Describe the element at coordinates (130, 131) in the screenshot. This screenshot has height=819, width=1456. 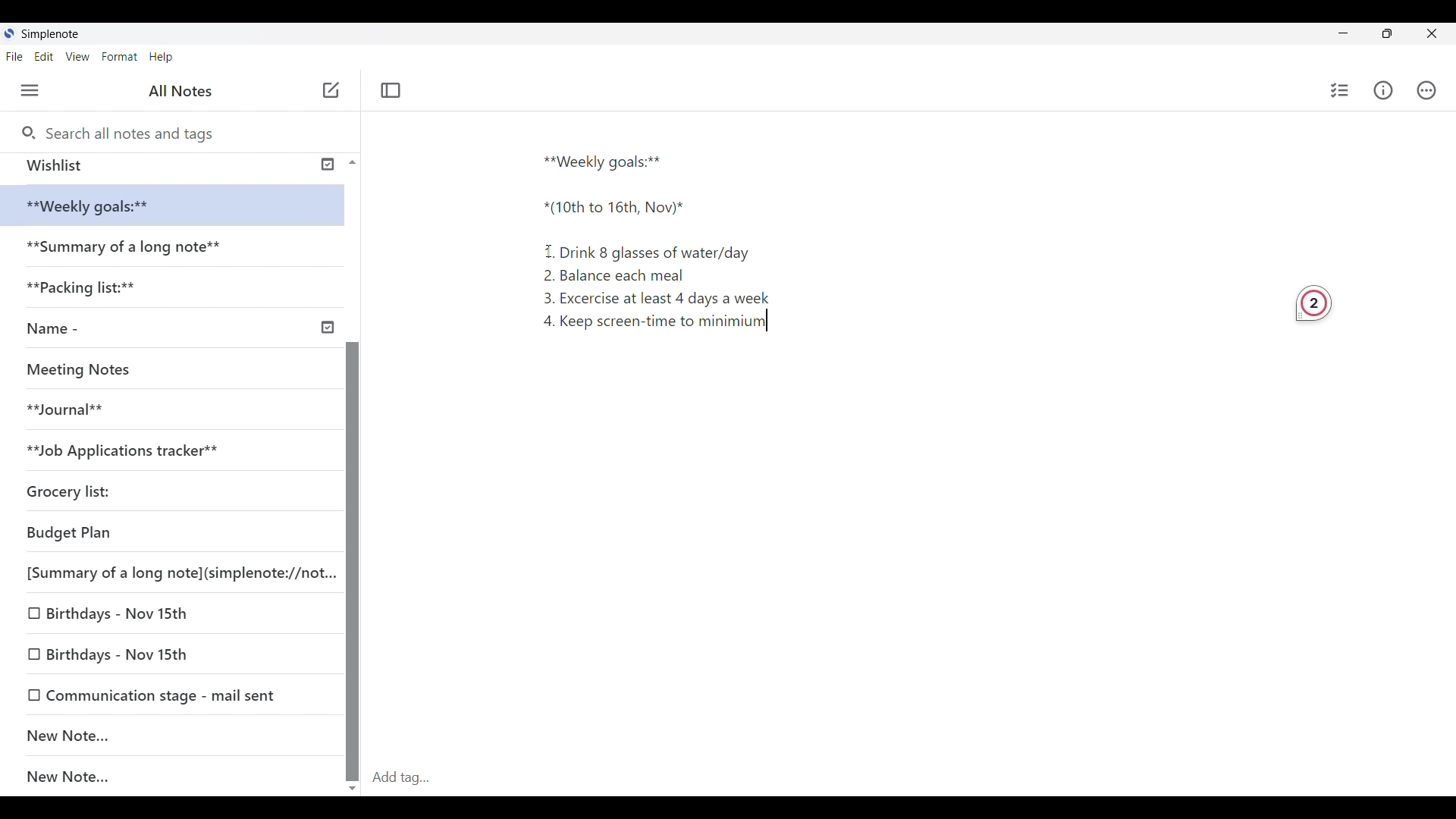
I see `Search all notes and tags` at that location.